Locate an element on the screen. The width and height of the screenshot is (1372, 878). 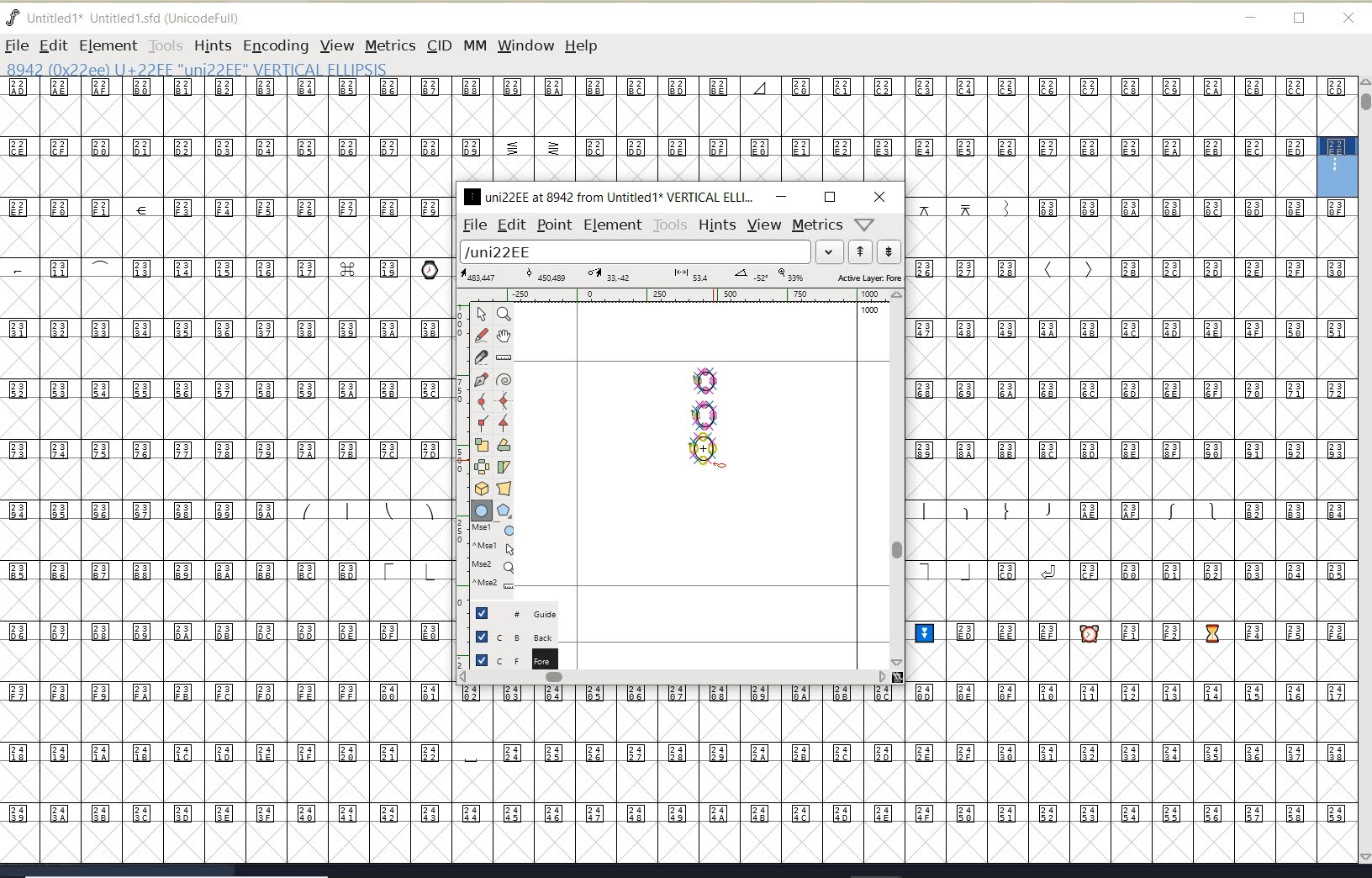
element is located at coordinates (613, 225).